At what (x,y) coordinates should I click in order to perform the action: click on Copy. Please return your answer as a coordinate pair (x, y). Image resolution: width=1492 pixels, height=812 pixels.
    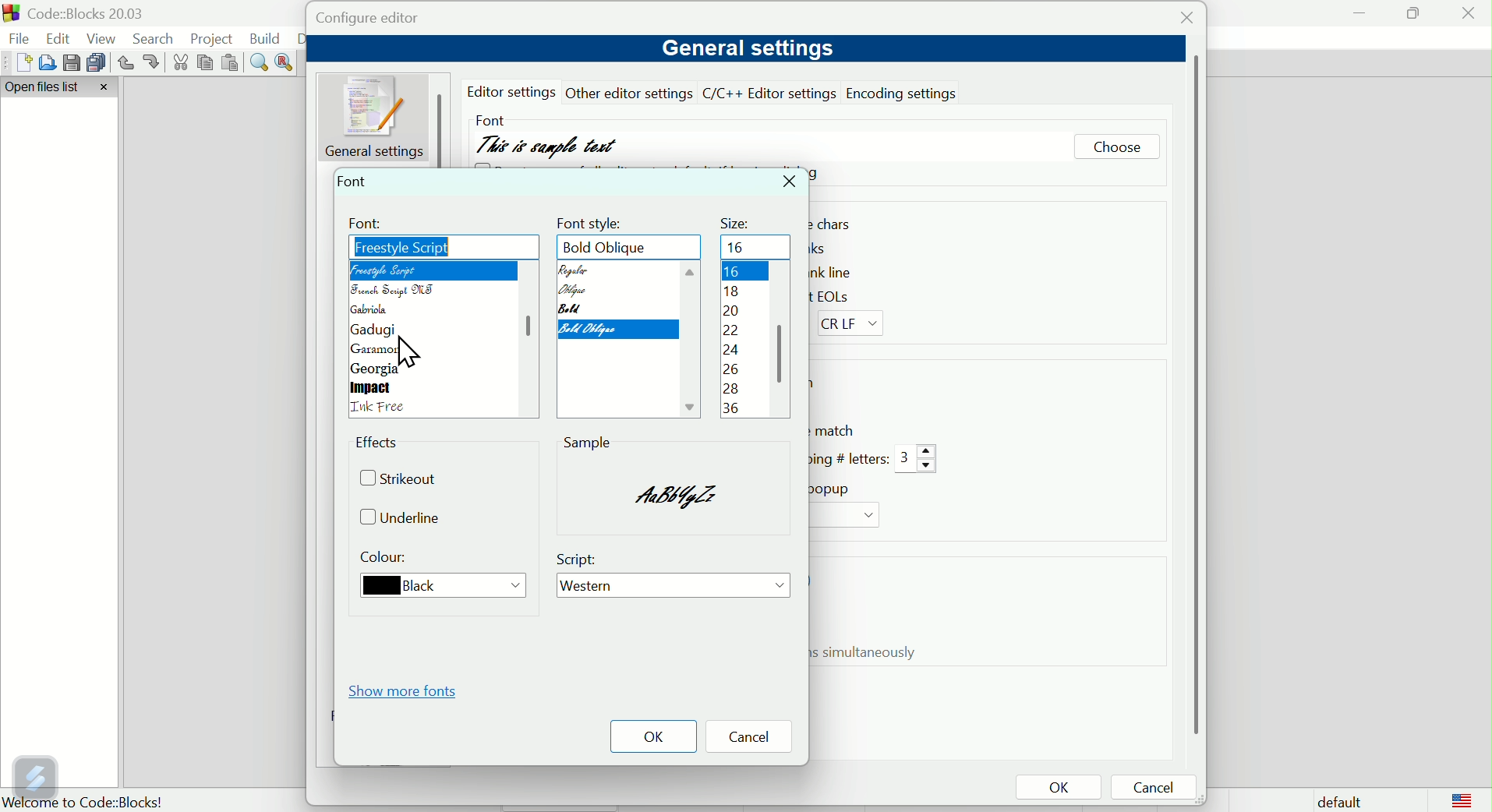
    Looking at the image, I should click on (206, 63).